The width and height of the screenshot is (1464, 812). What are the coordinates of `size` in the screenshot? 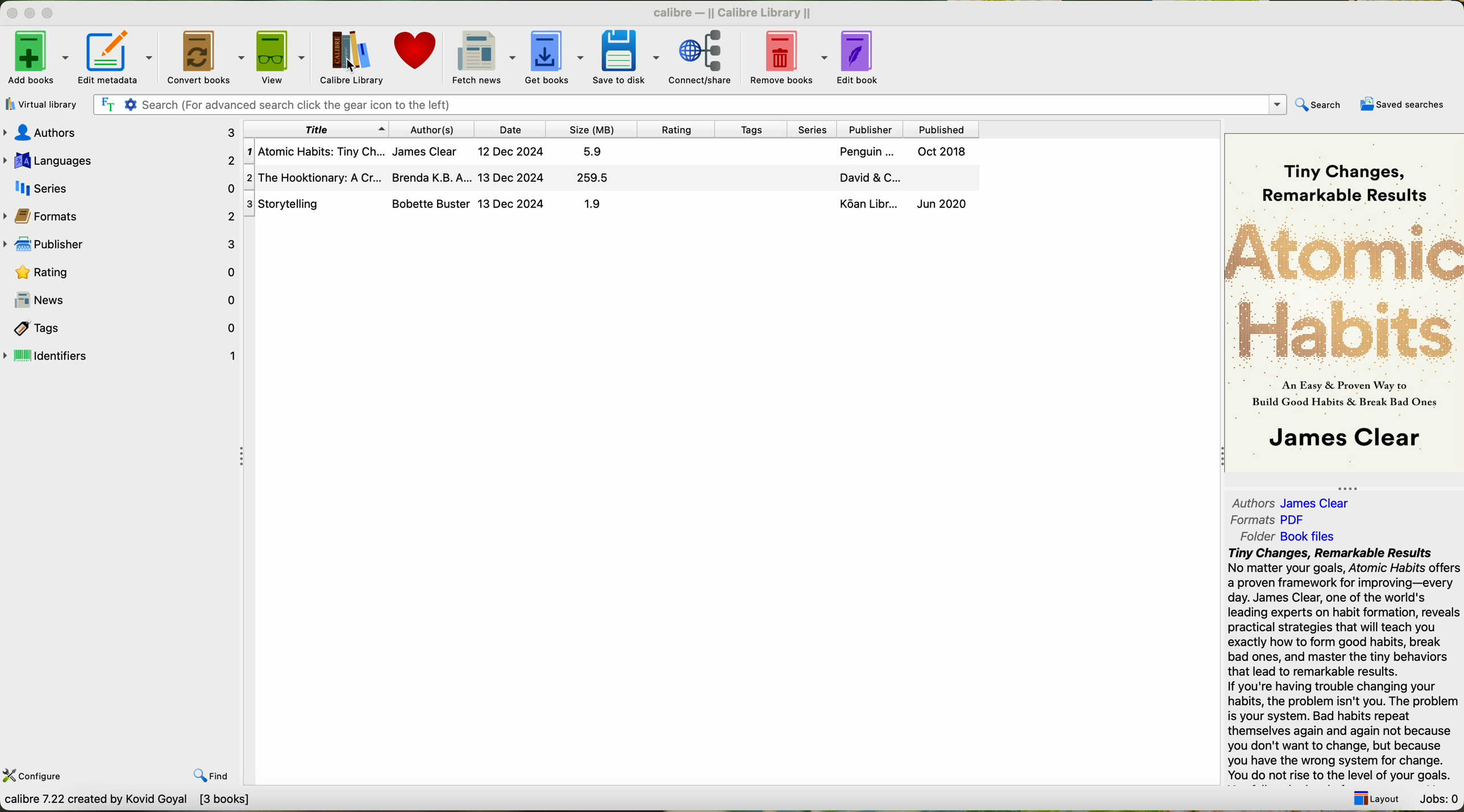 It's located at (592, 130).